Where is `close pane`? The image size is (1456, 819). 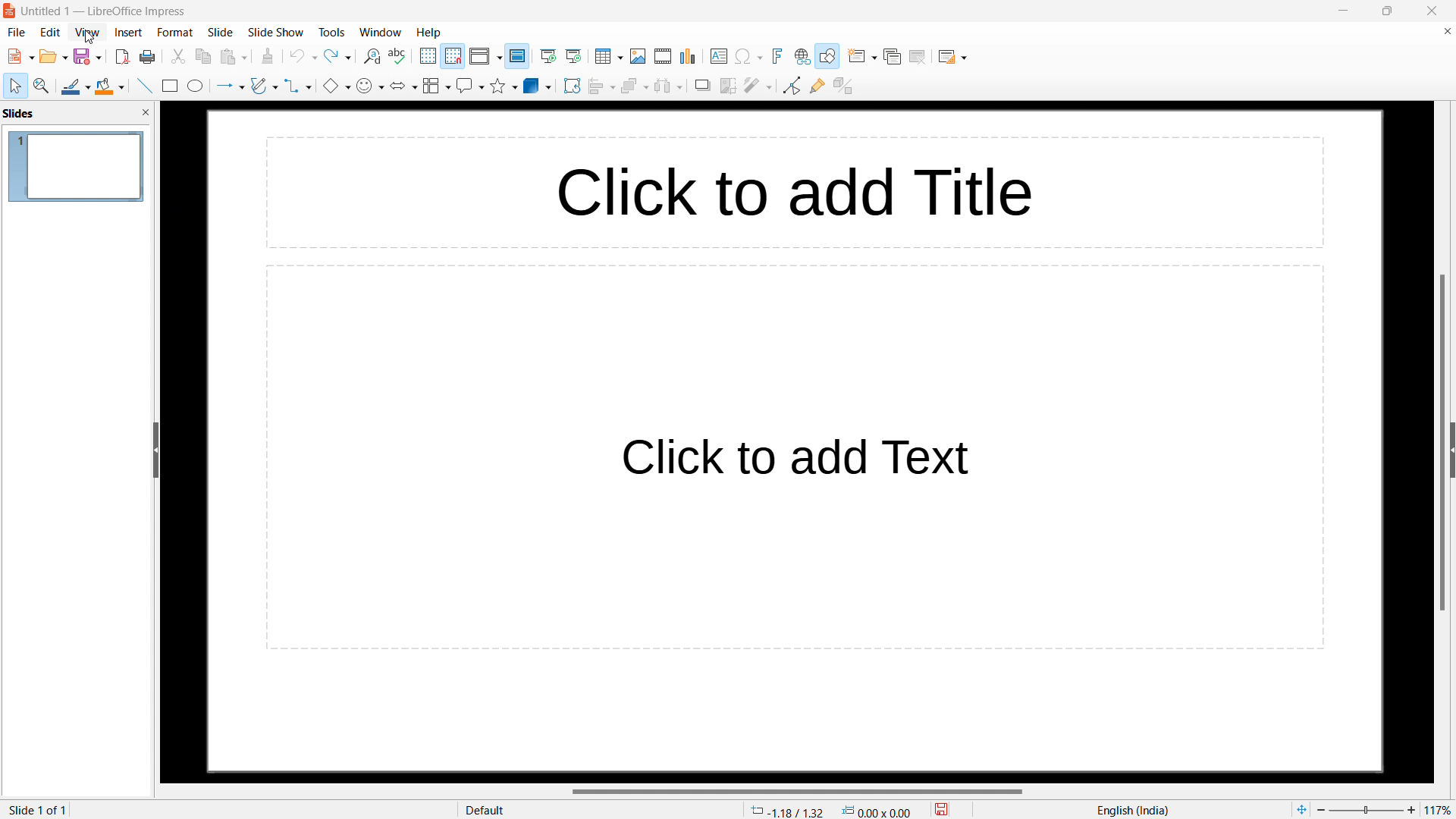
close pane is located at coordinates (146, 113).